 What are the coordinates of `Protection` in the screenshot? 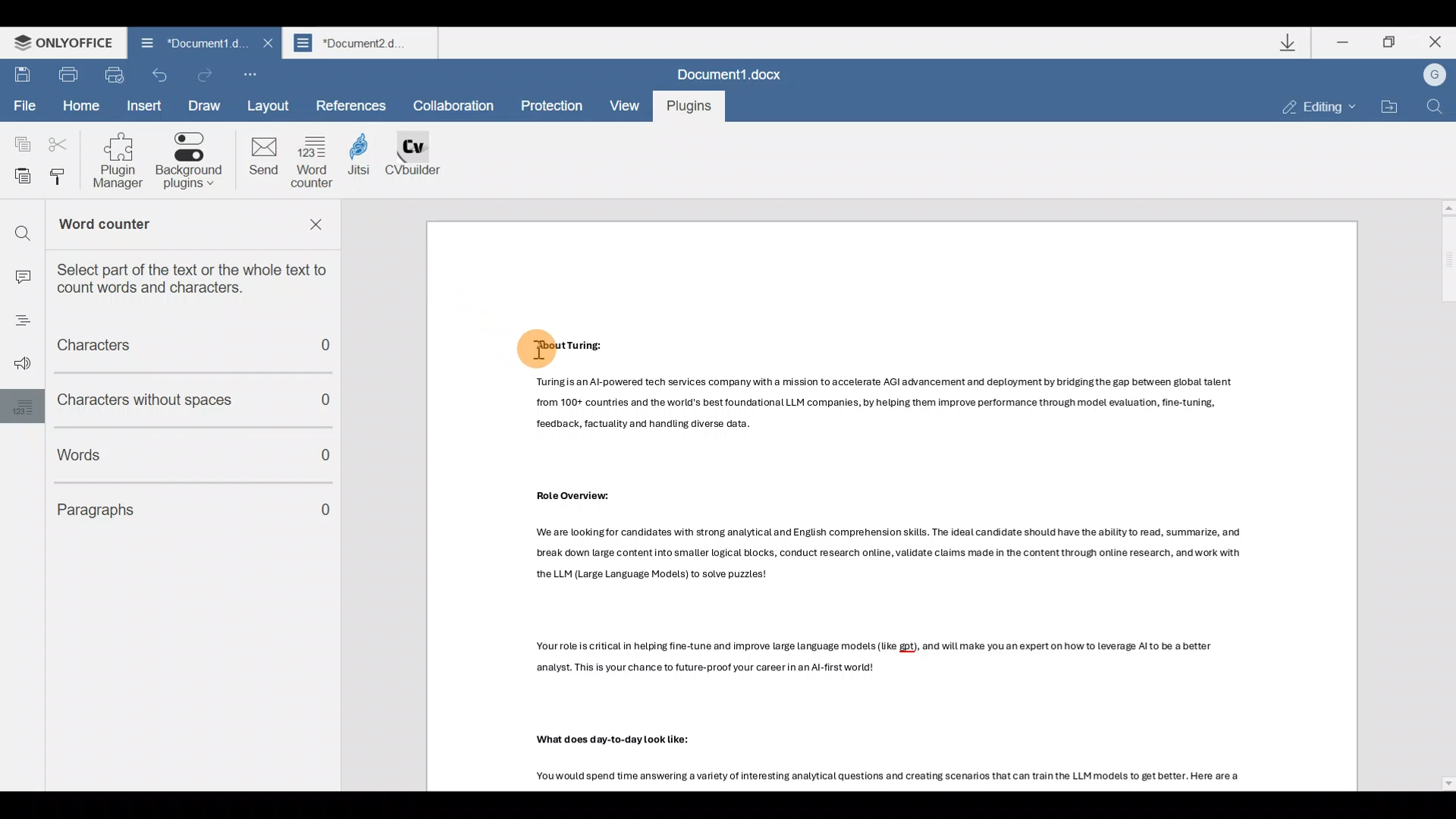 It's located at (551, 105).